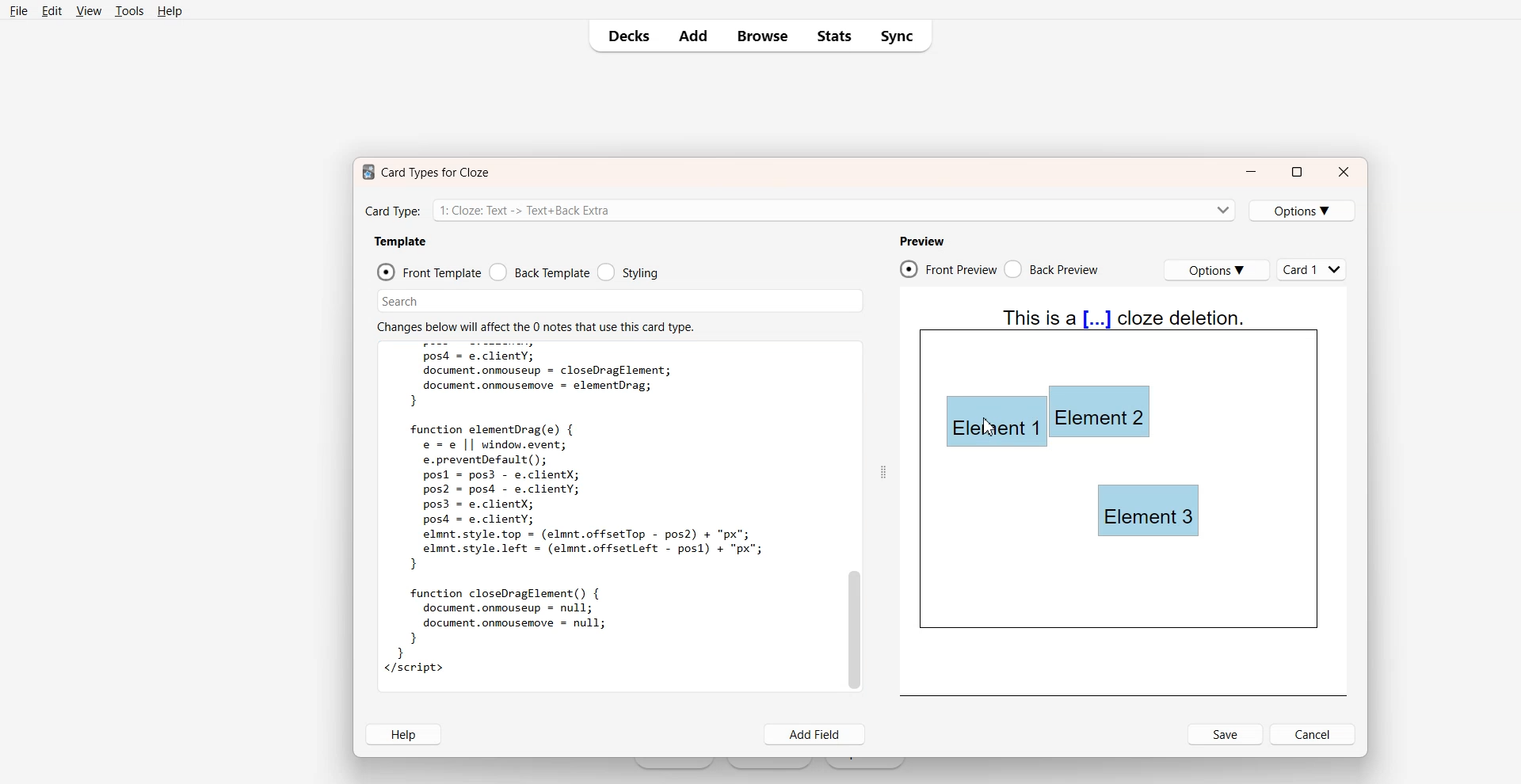 The height and width of the screenshot is (784, 1521). I want to click on Search, so click(621, 301).